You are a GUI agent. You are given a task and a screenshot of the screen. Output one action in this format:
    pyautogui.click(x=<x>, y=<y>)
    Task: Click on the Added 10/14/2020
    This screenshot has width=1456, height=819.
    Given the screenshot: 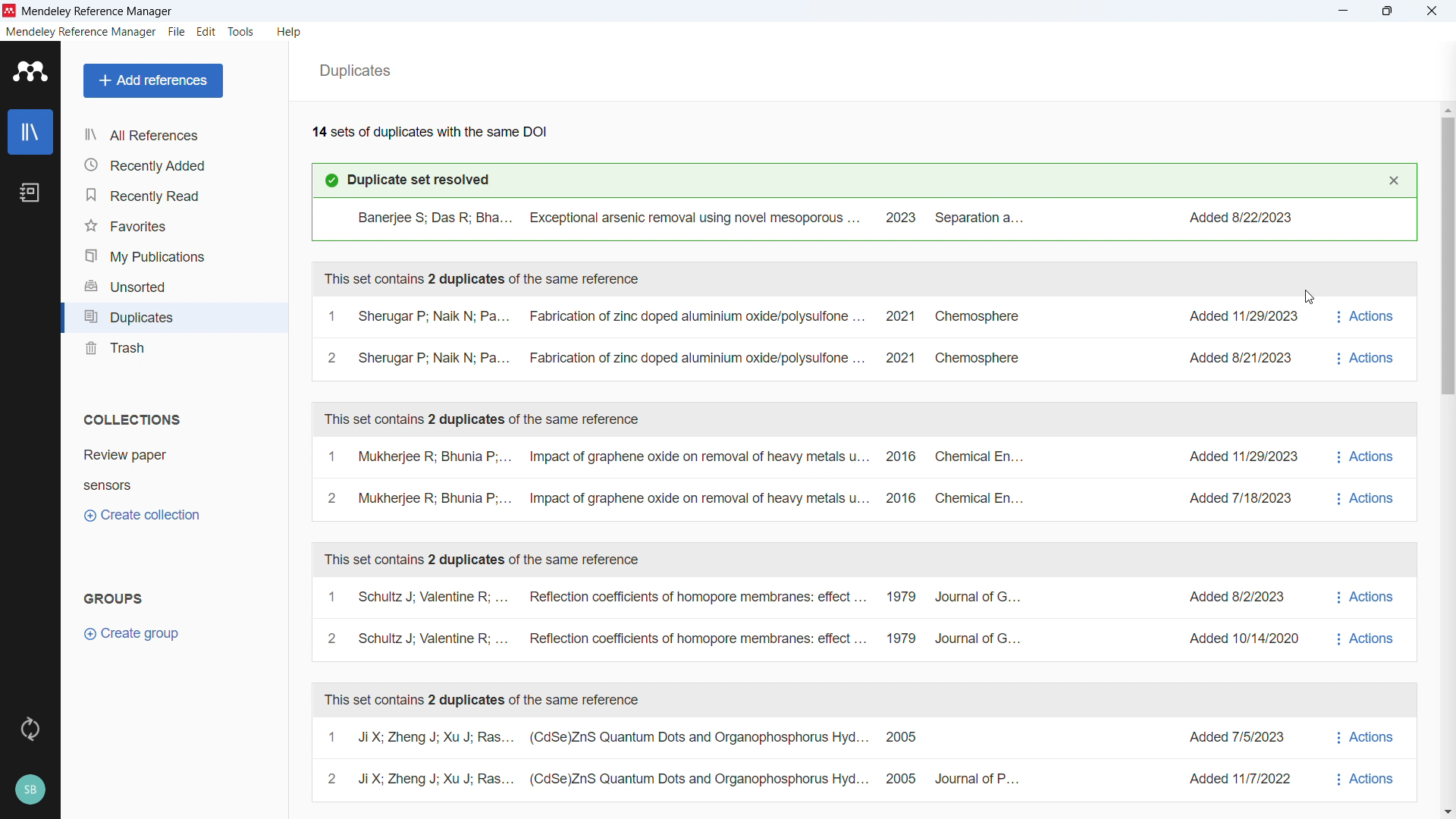 What is the action you would take?
    pyautogui.click(x=1235, y=637)
    